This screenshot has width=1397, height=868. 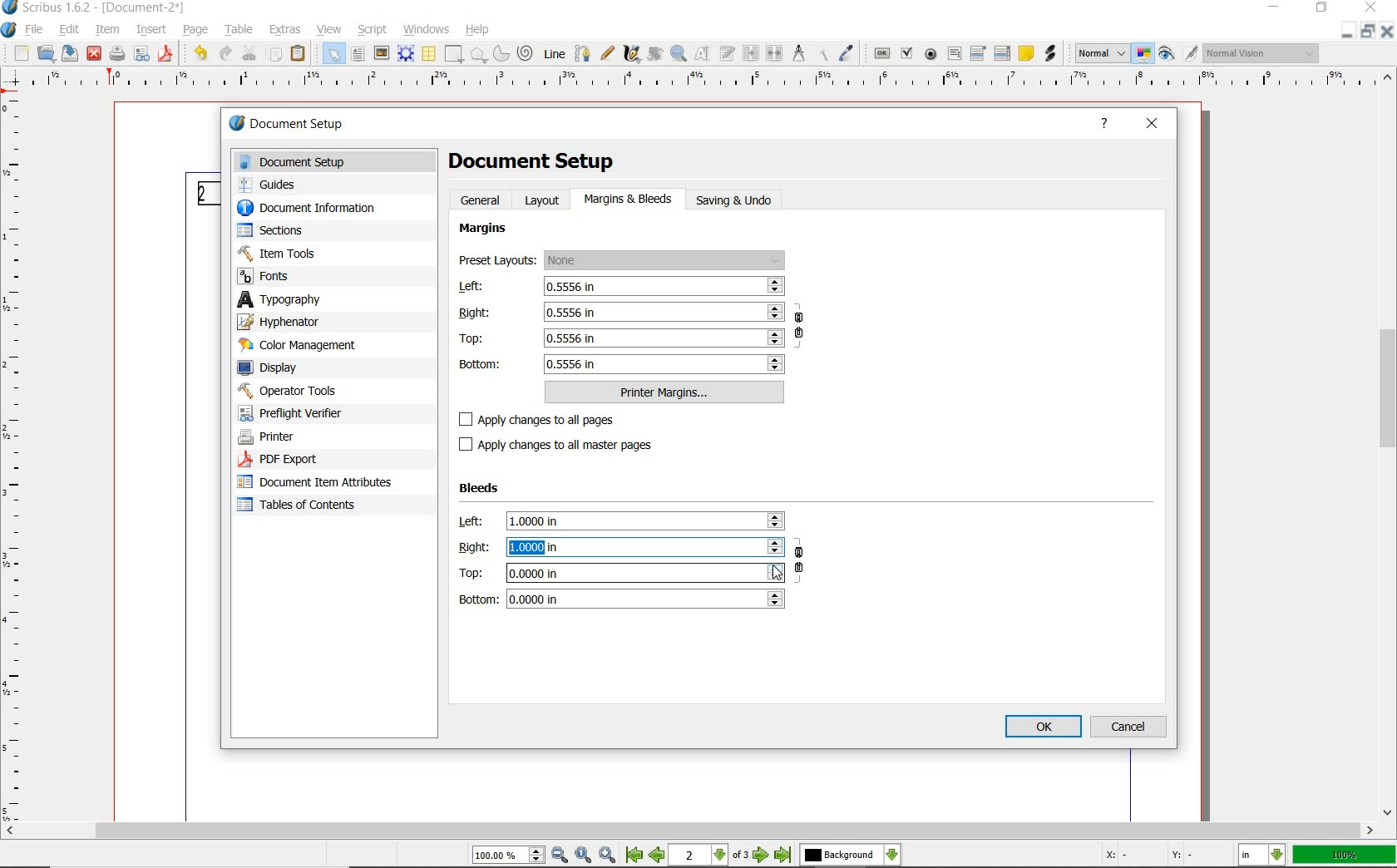 What do you see at coordinates (274, 277) in the screenshot?
I see `fonts` at bounding box center [274, 277].